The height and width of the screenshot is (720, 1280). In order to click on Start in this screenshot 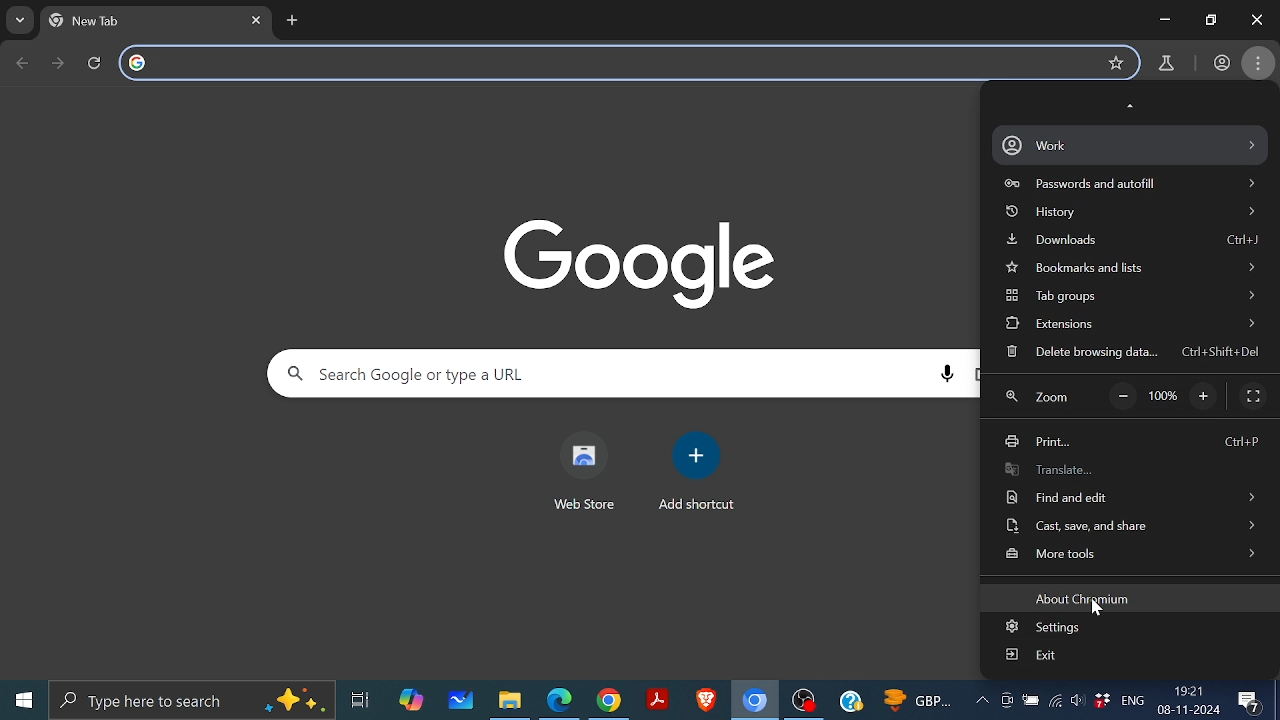, I will do `click(23, 699)`.